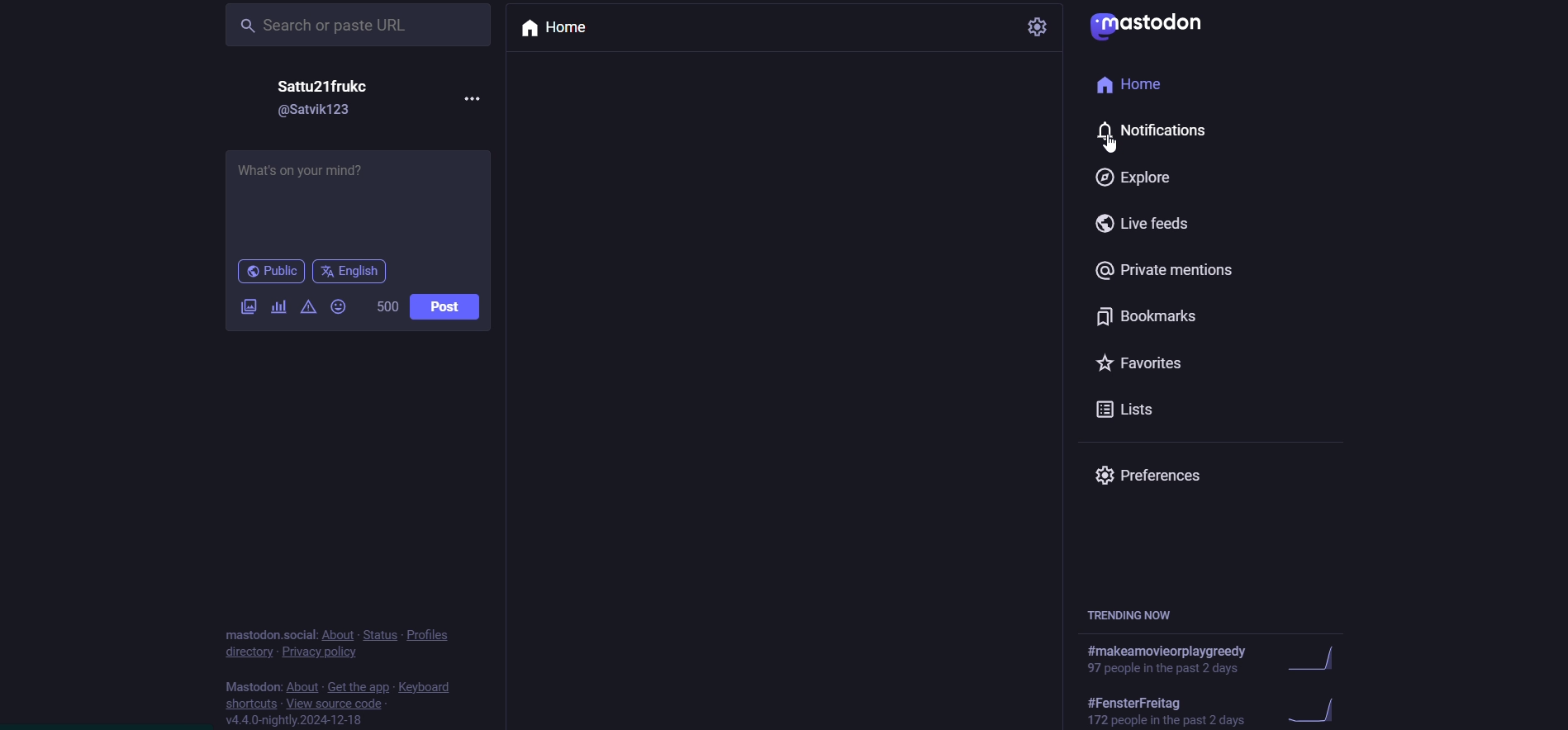 The height and width of the screenshot is (730, 1568). What do you see at coordinates (254, 704) in the screenshot?
I see `shortcuts` at bounding box center [254, 704].